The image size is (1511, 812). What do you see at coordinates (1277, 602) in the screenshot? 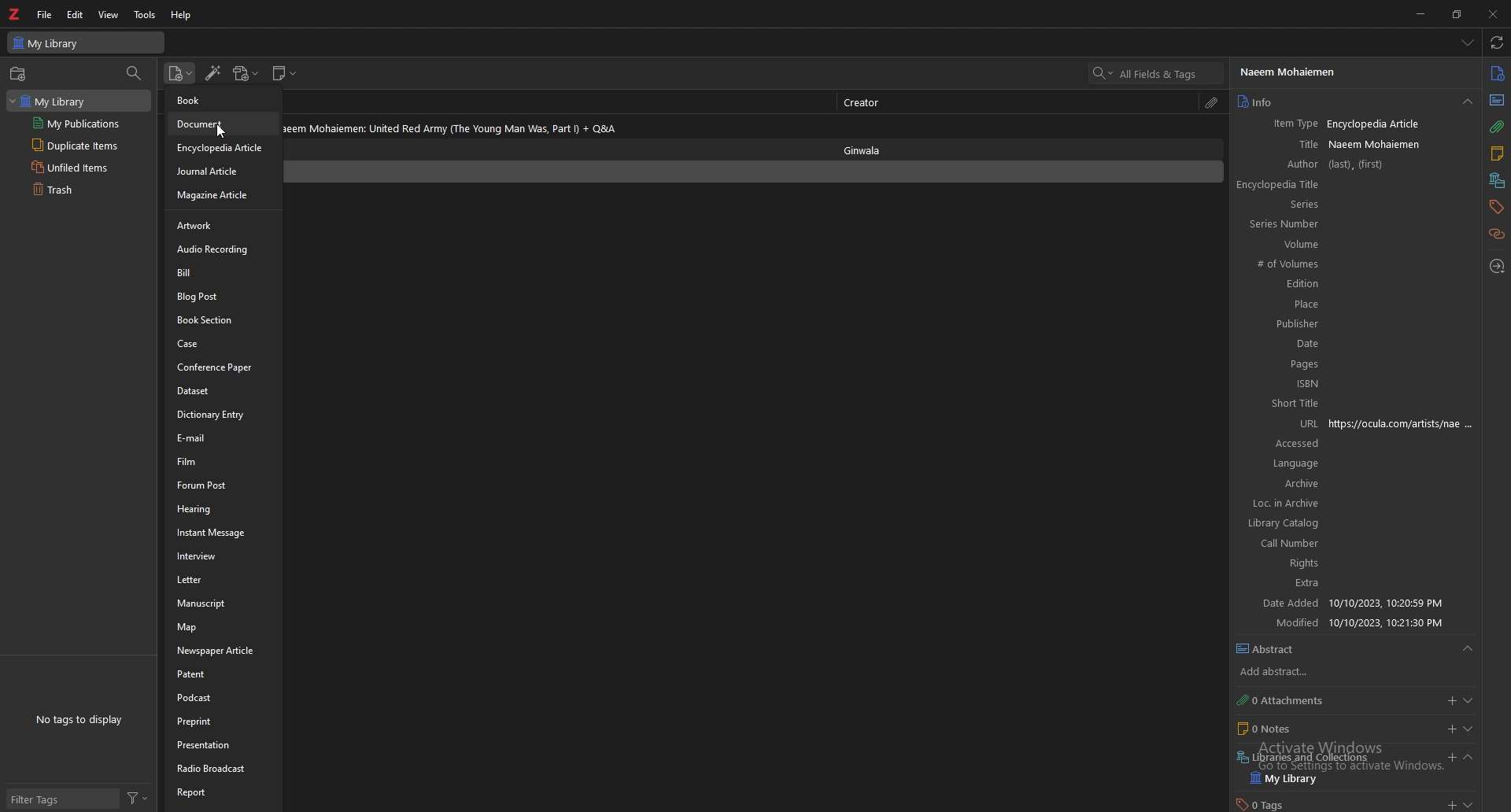
I see `date added` at bounding box center [1277, 602].